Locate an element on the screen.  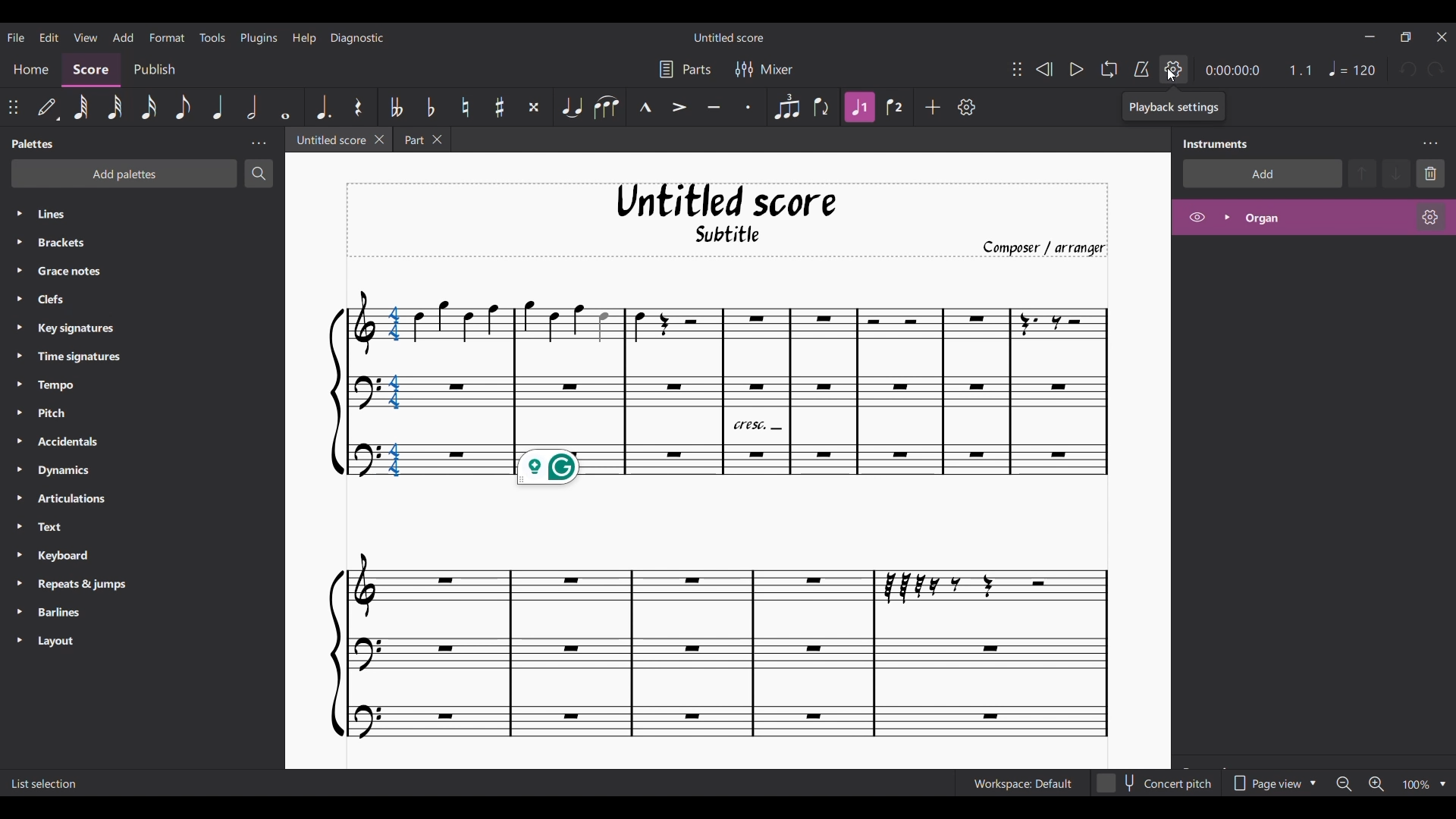
Default is located at coordinates (48, 107).